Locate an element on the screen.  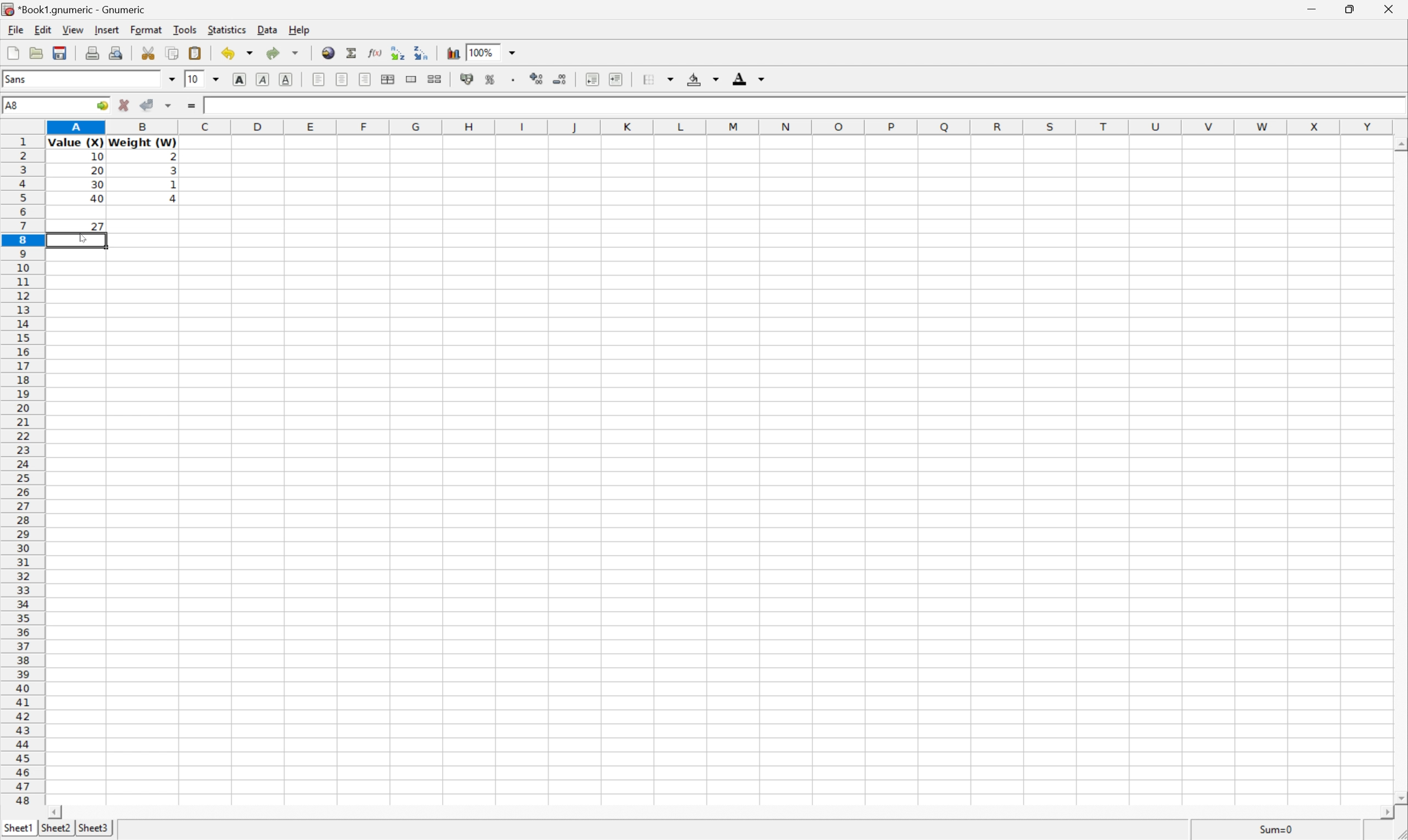
Sheet2 is located at coordinates (57, 829).